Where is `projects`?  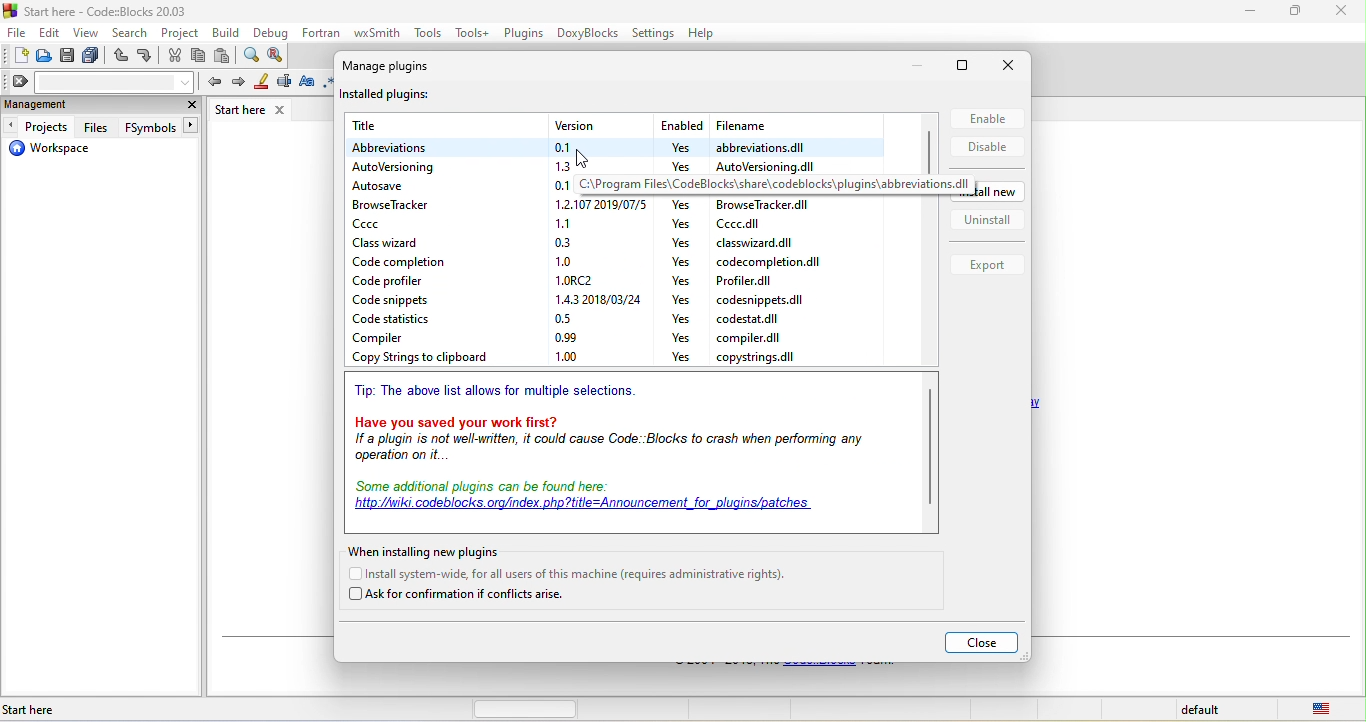
projects is located at coordinates (41, 125).